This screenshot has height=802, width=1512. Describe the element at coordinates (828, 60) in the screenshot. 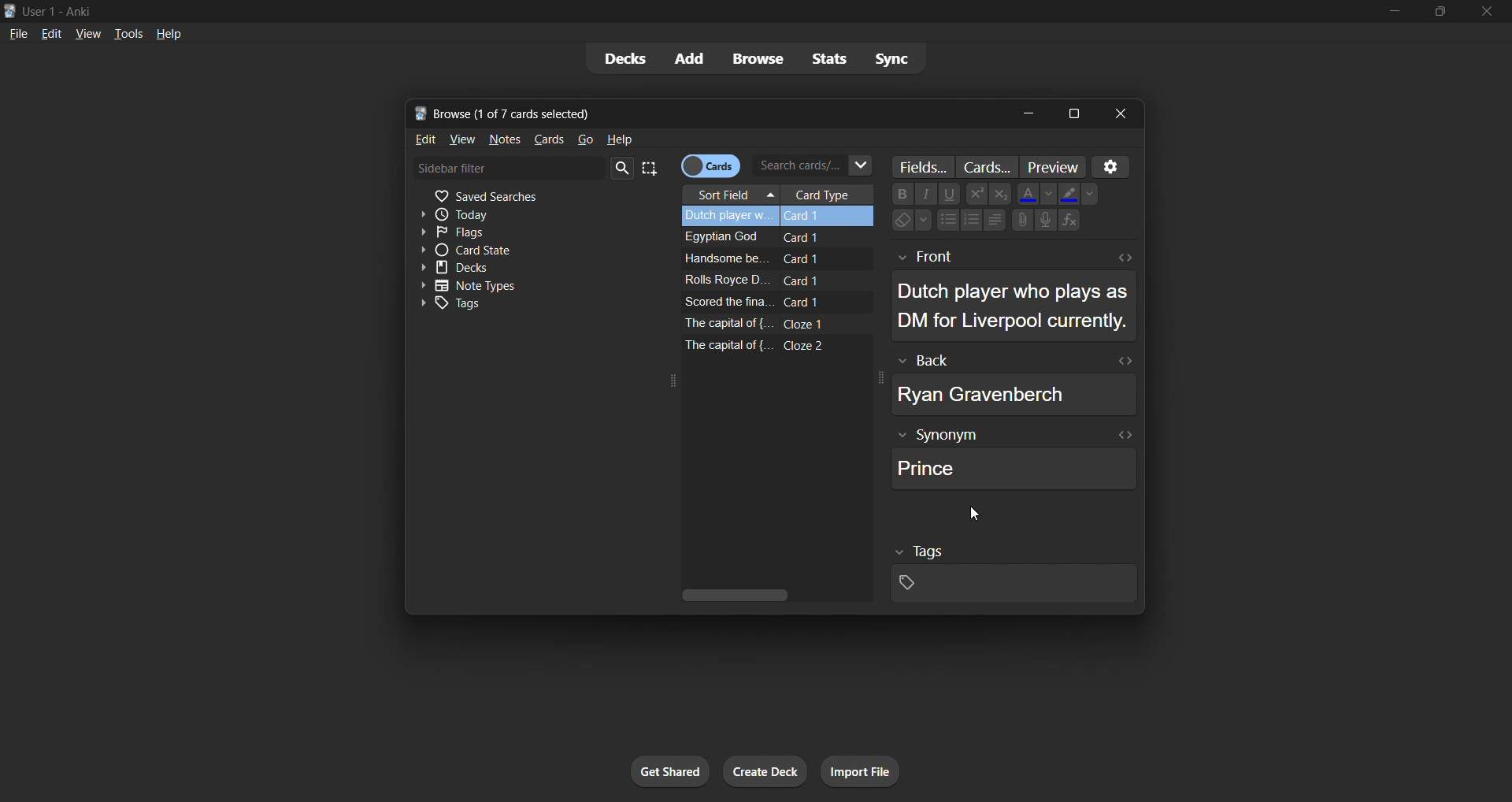

I see `stats` at that location.